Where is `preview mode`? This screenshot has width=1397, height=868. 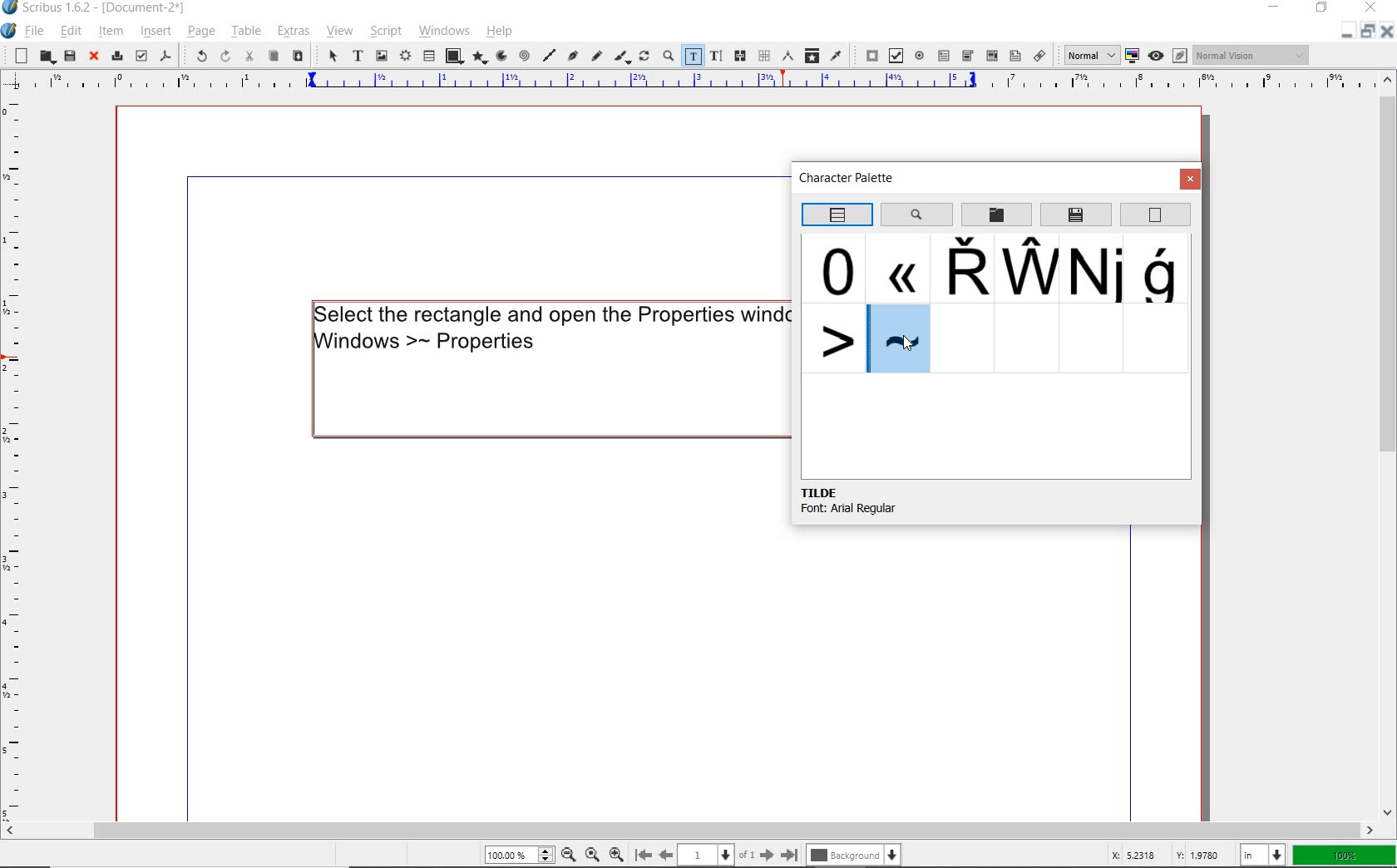 preview mode is located at coordinates (1167, 56).